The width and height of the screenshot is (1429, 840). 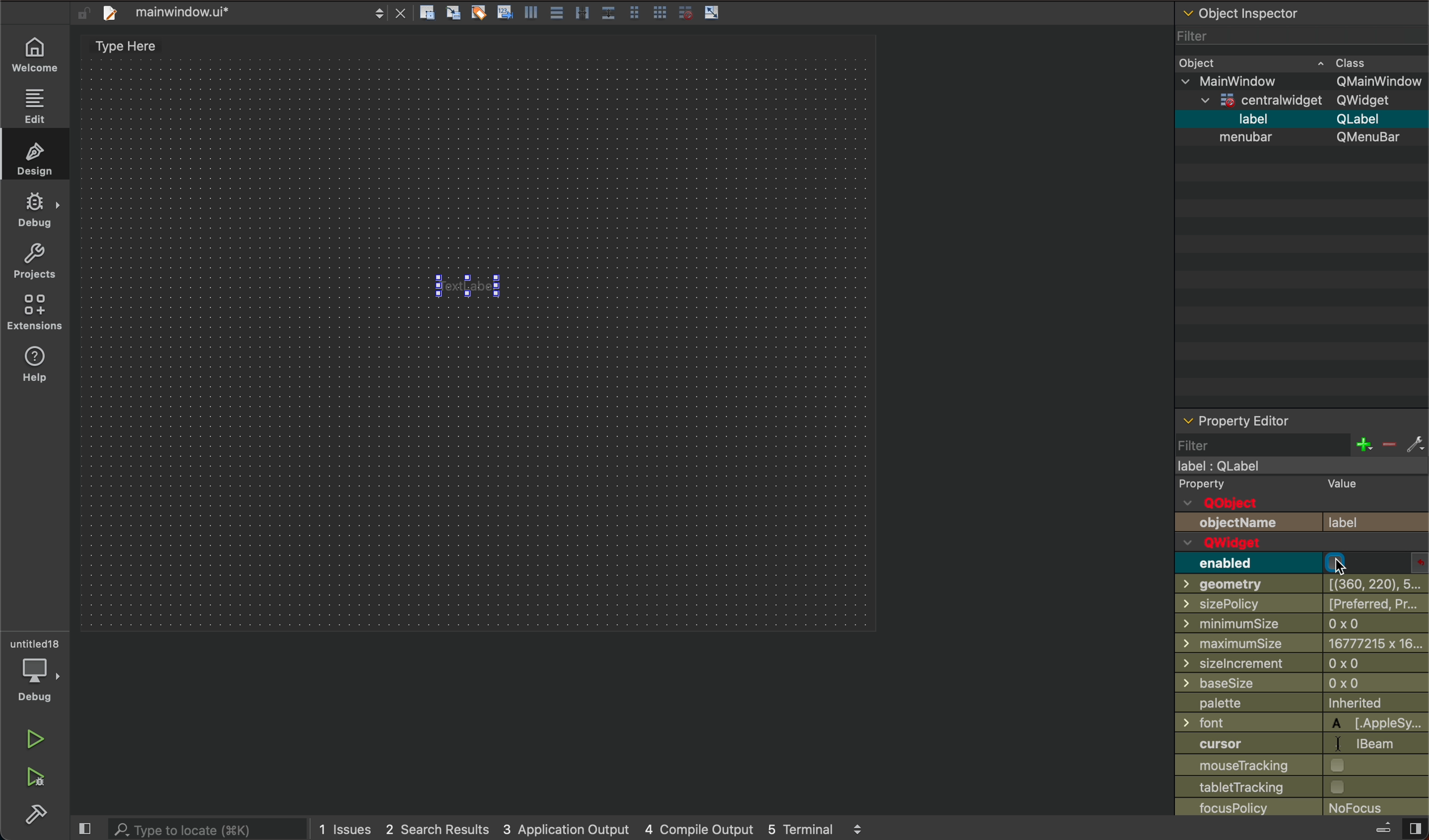 I want to click on enabled, so click(x=1418, y=563).